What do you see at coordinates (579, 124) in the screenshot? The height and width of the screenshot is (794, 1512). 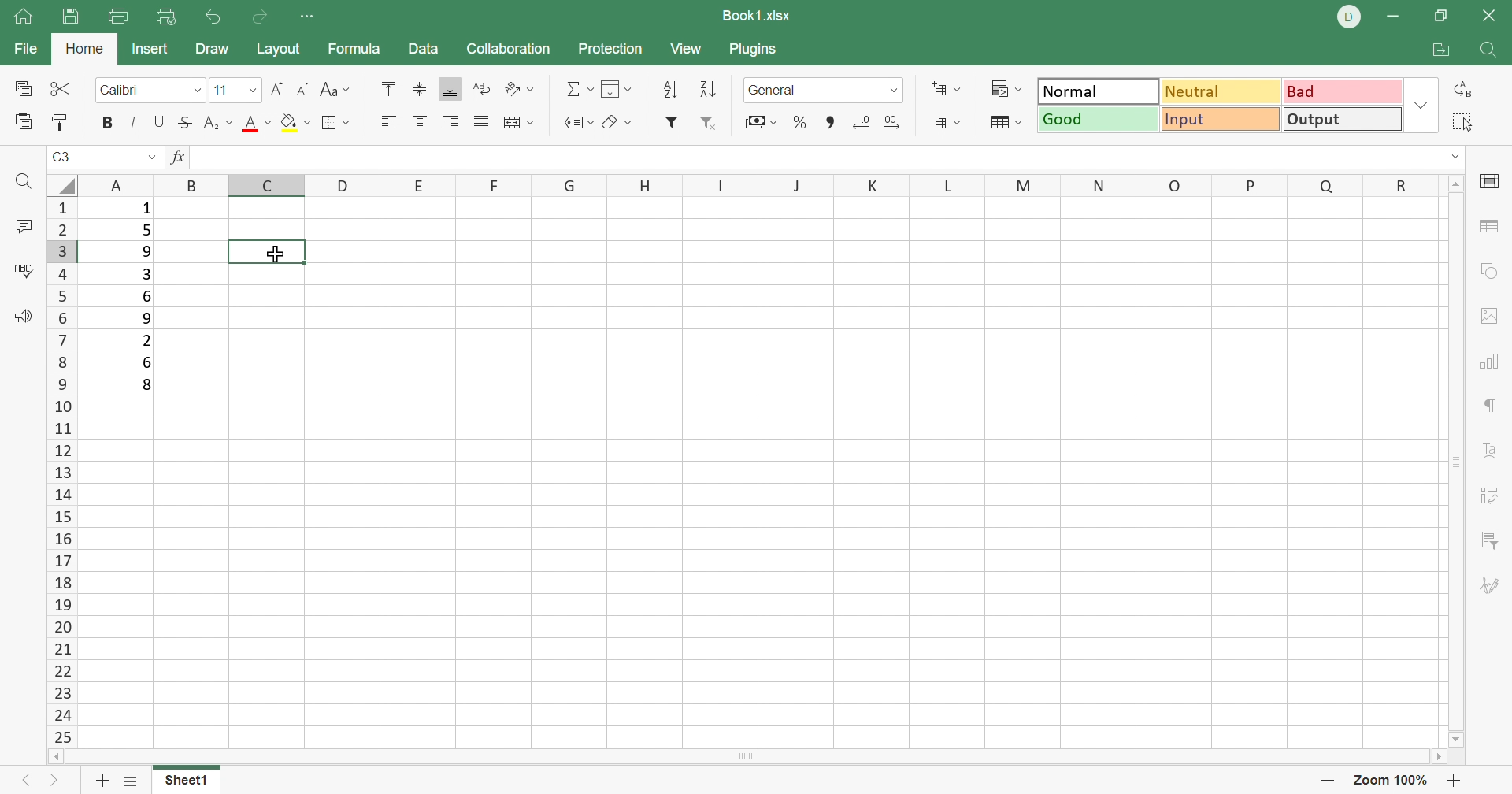 I see `Named ranges` at bounding box center [579, 124].